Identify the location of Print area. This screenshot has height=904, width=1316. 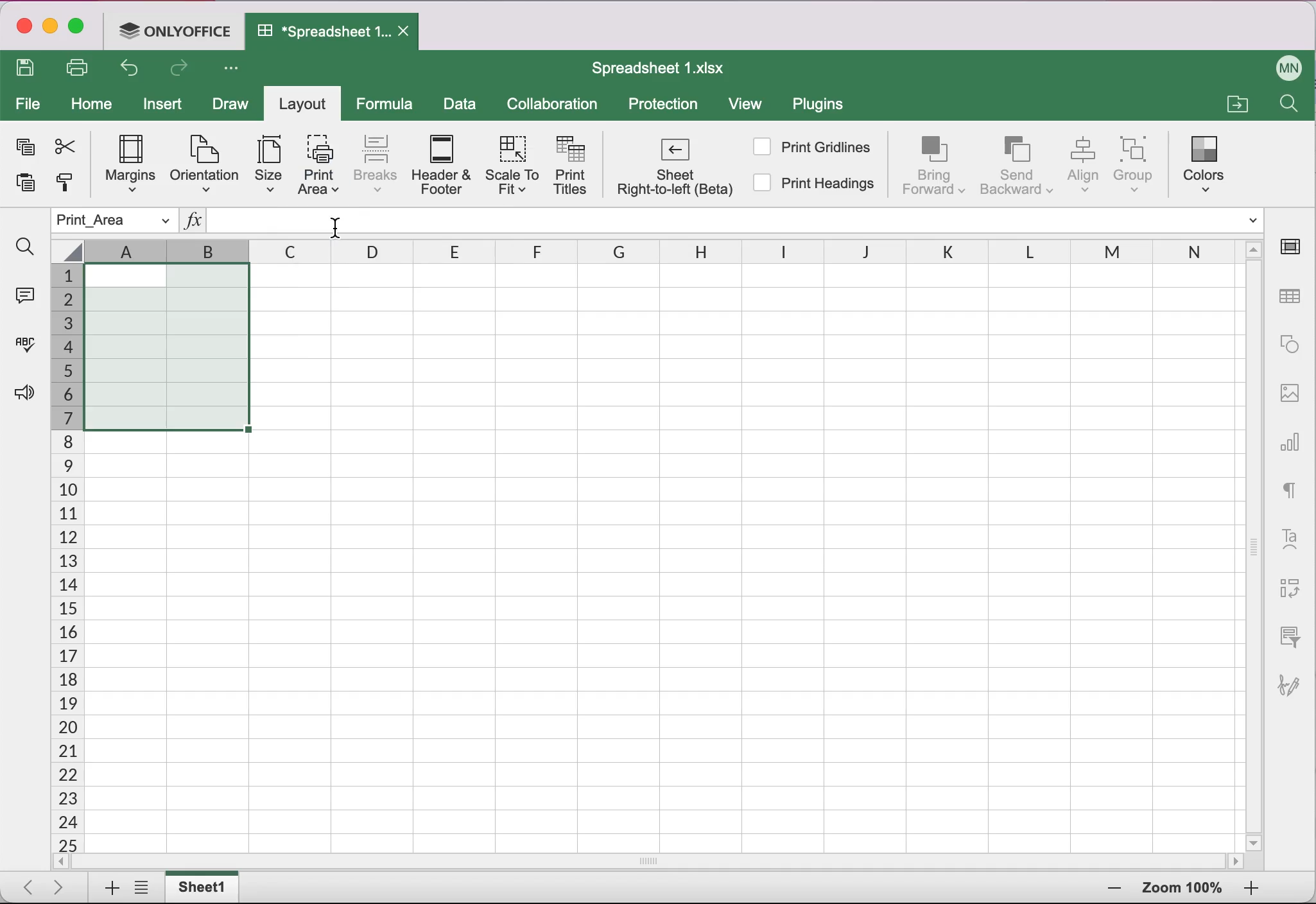
(318, 164).